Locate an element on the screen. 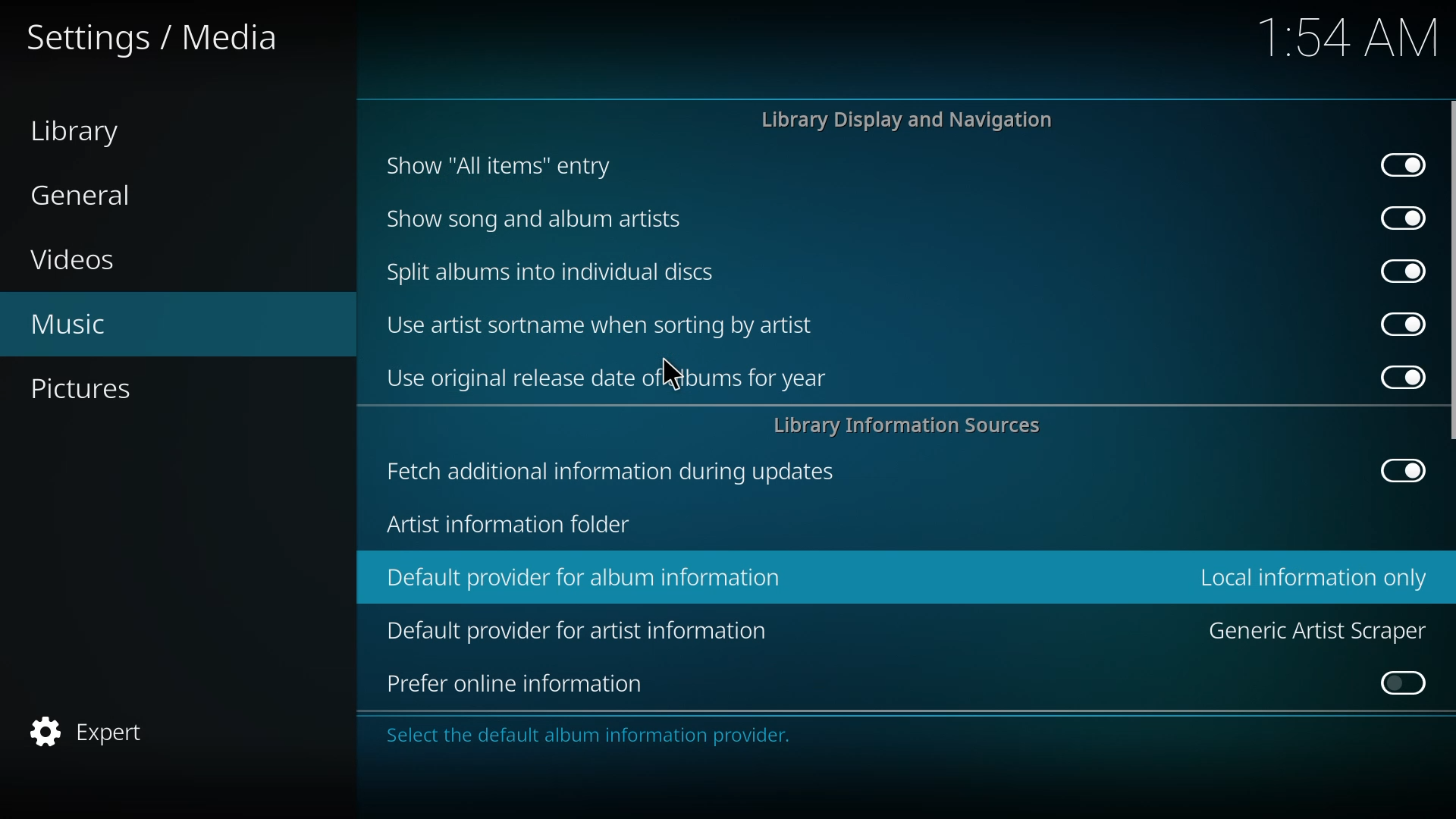  default provider for album information is located at coordinates (585, 579).